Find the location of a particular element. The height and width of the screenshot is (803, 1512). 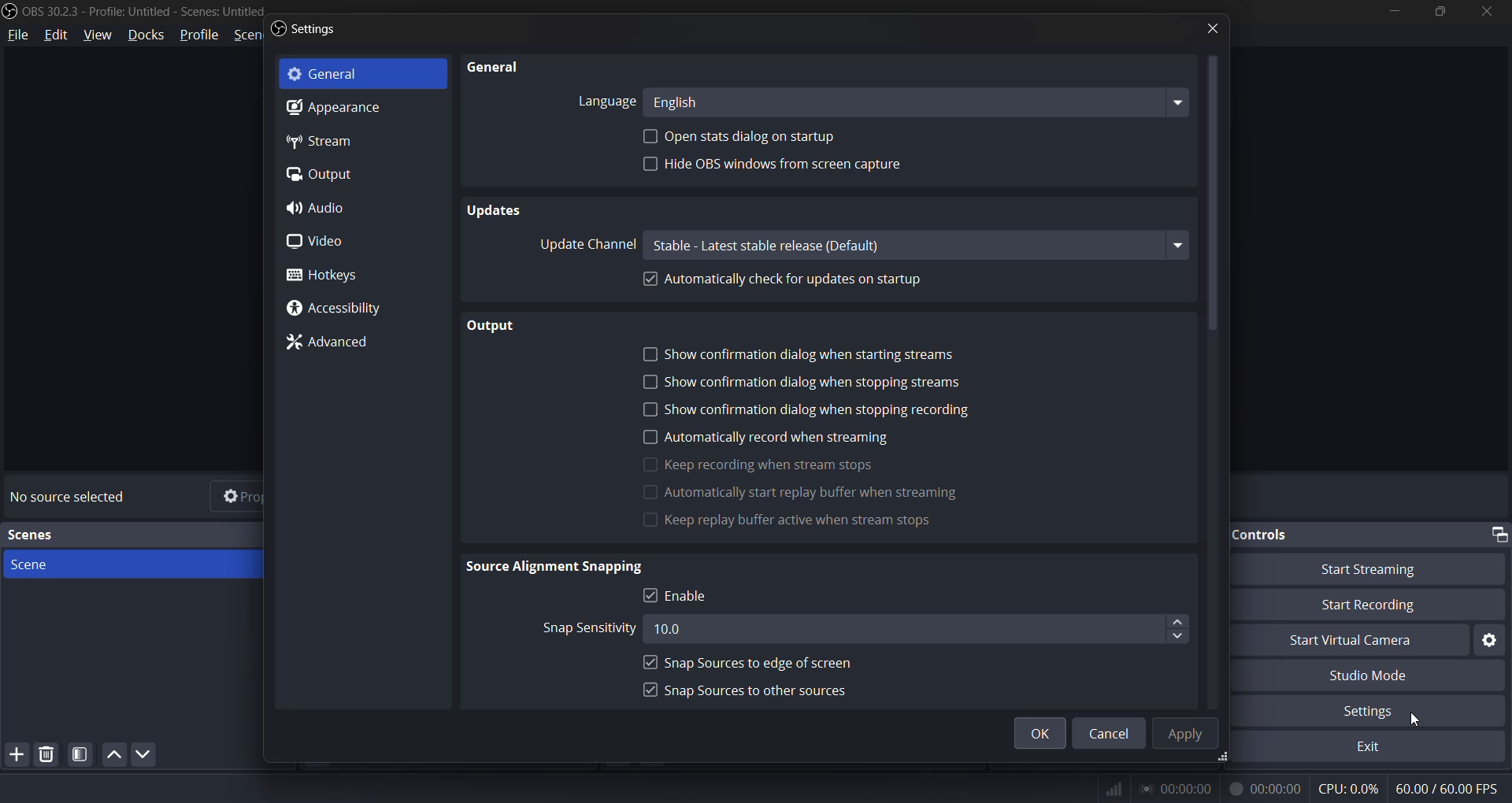

output is located at coordinates (319, 172).